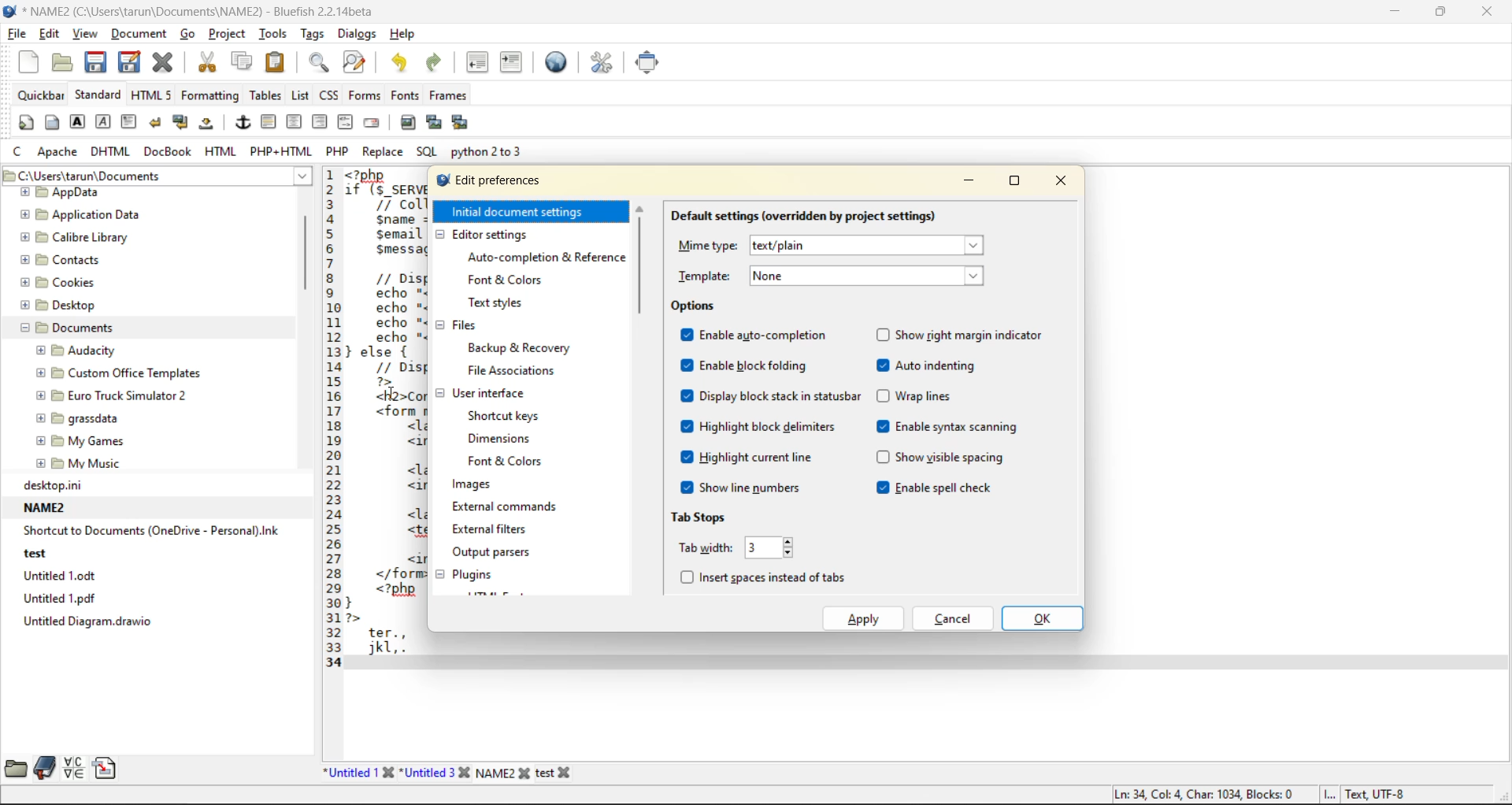 Image resolution: width=1512 pixels, height=805 pixels. What do you see at coordinates (762, 577) in the screenshot?
I see `insert spaces instead of tabs` at bounding box center [762, 577].